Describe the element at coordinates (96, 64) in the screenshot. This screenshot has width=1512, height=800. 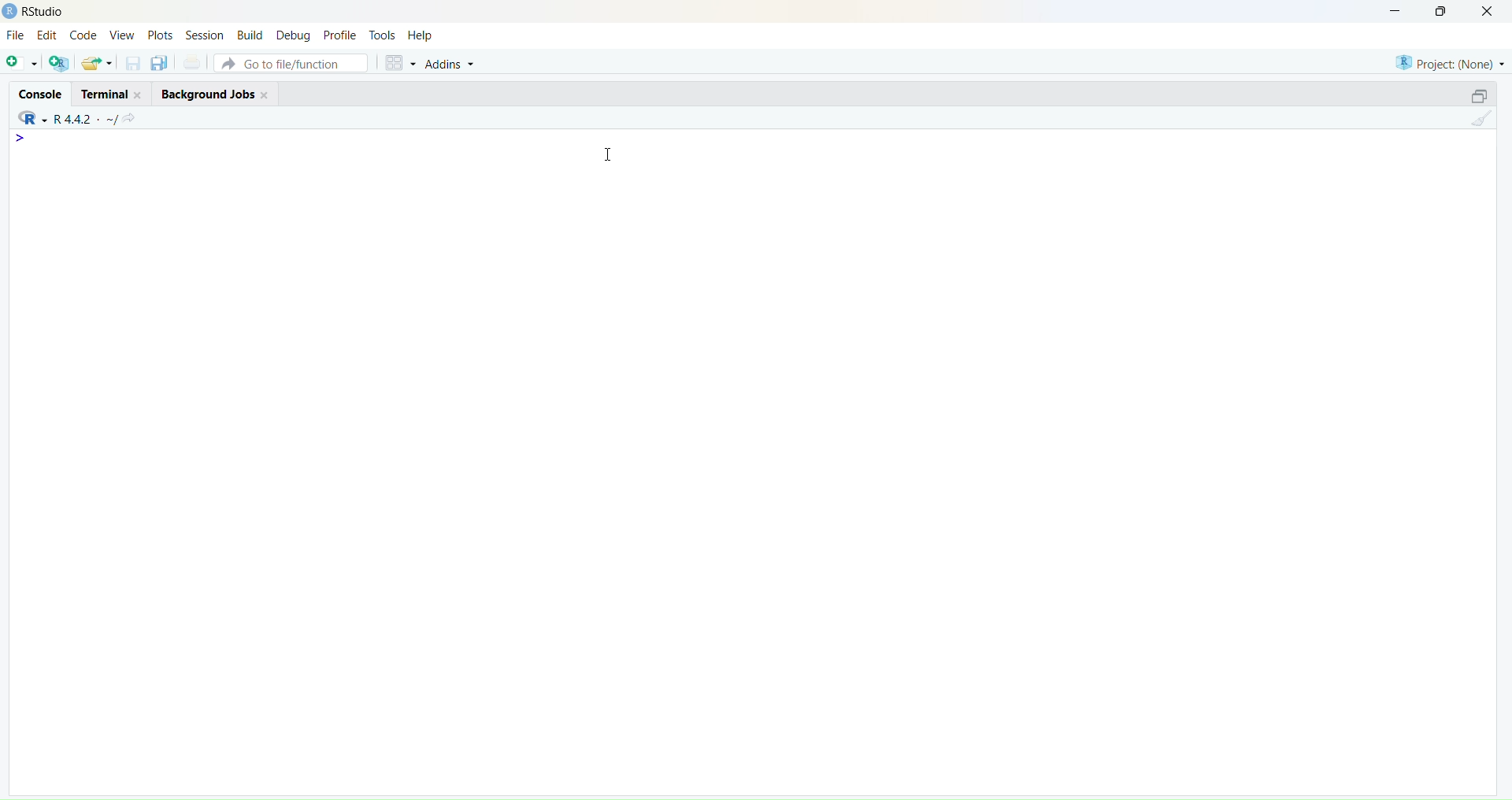
I see `save and export` at that location.